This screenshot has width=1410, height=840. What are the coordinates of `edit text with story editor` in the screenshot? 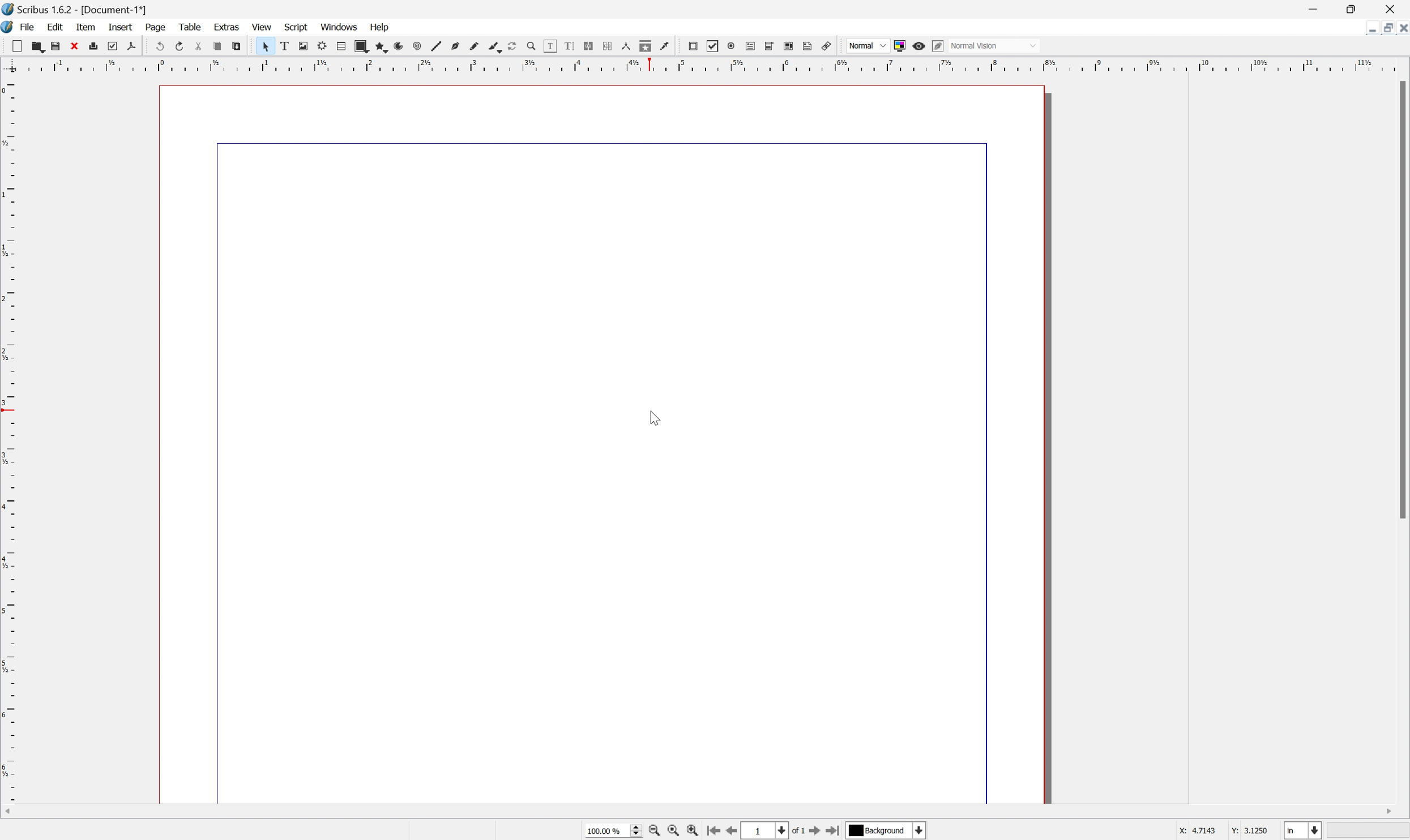 It's located at (569, 45).